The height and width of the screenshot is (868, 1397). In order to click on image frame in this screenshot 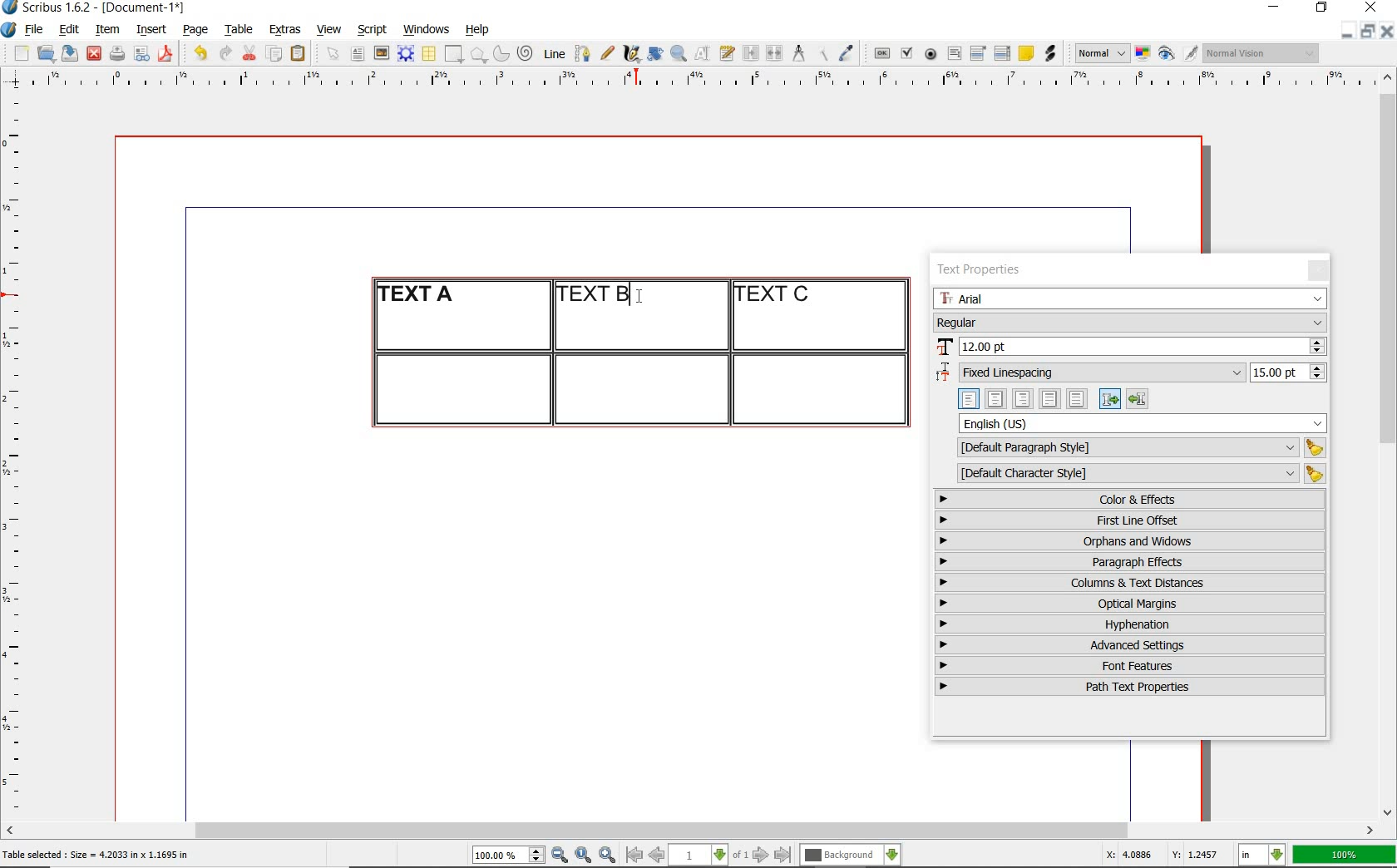, I will do `click(383, 53)`.